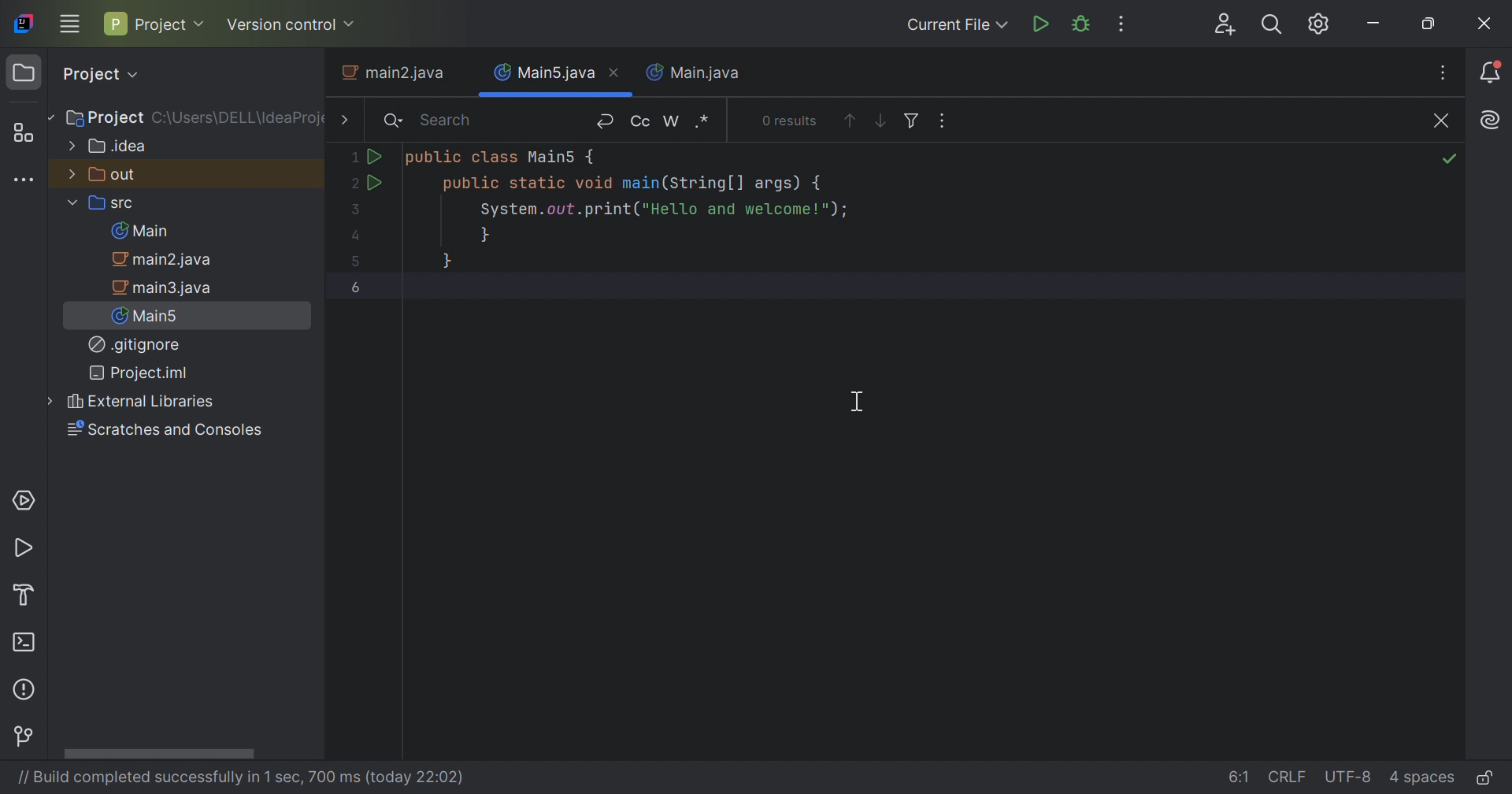 The image size is (1512, 794). Describe the element at coordinates (27, 645) in the screenshot. I see `Terminal` at that location.